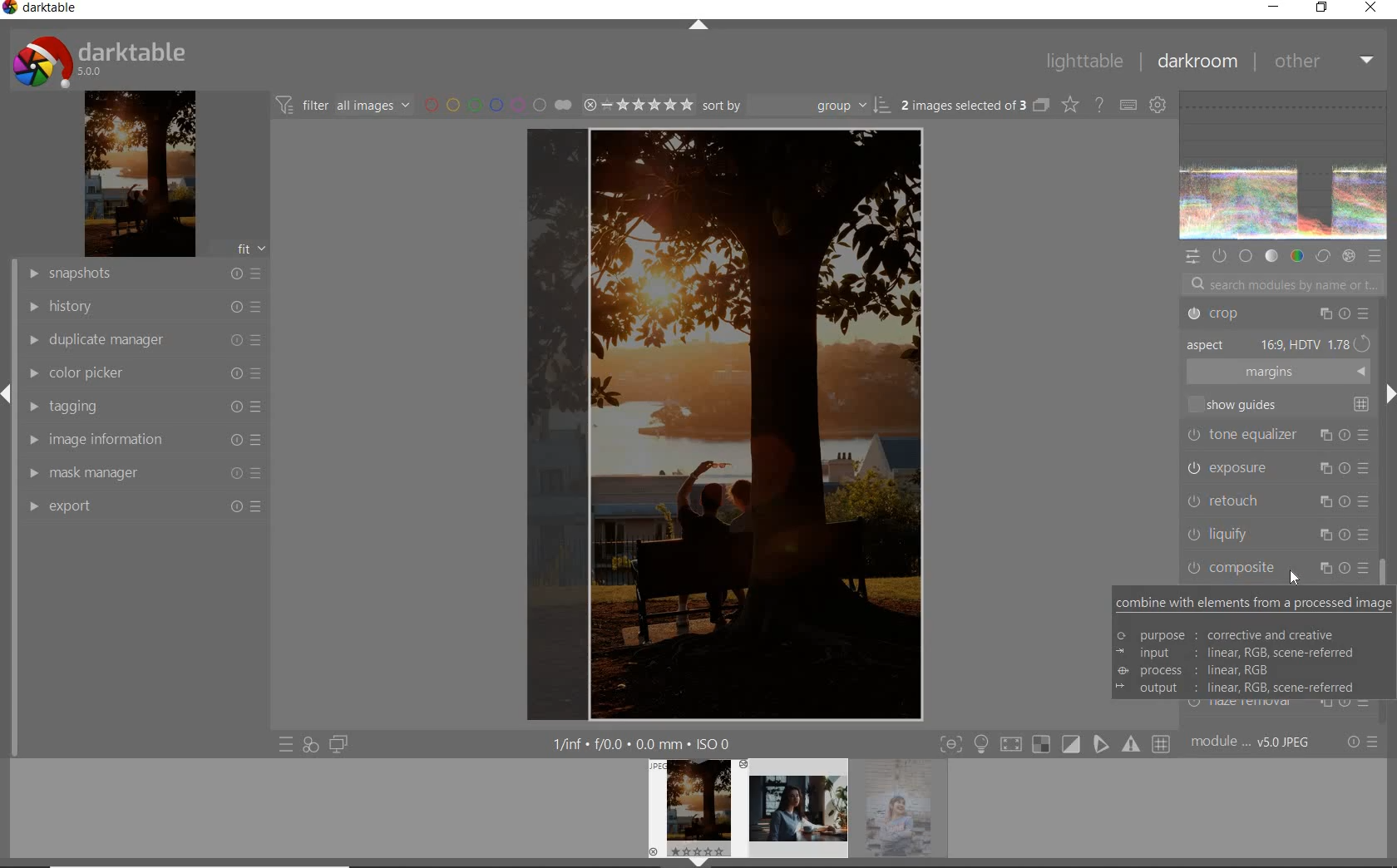 Image resolution: width=1397 pixels, height=868 pixels. I want to click on selected images, so click(962, 105).